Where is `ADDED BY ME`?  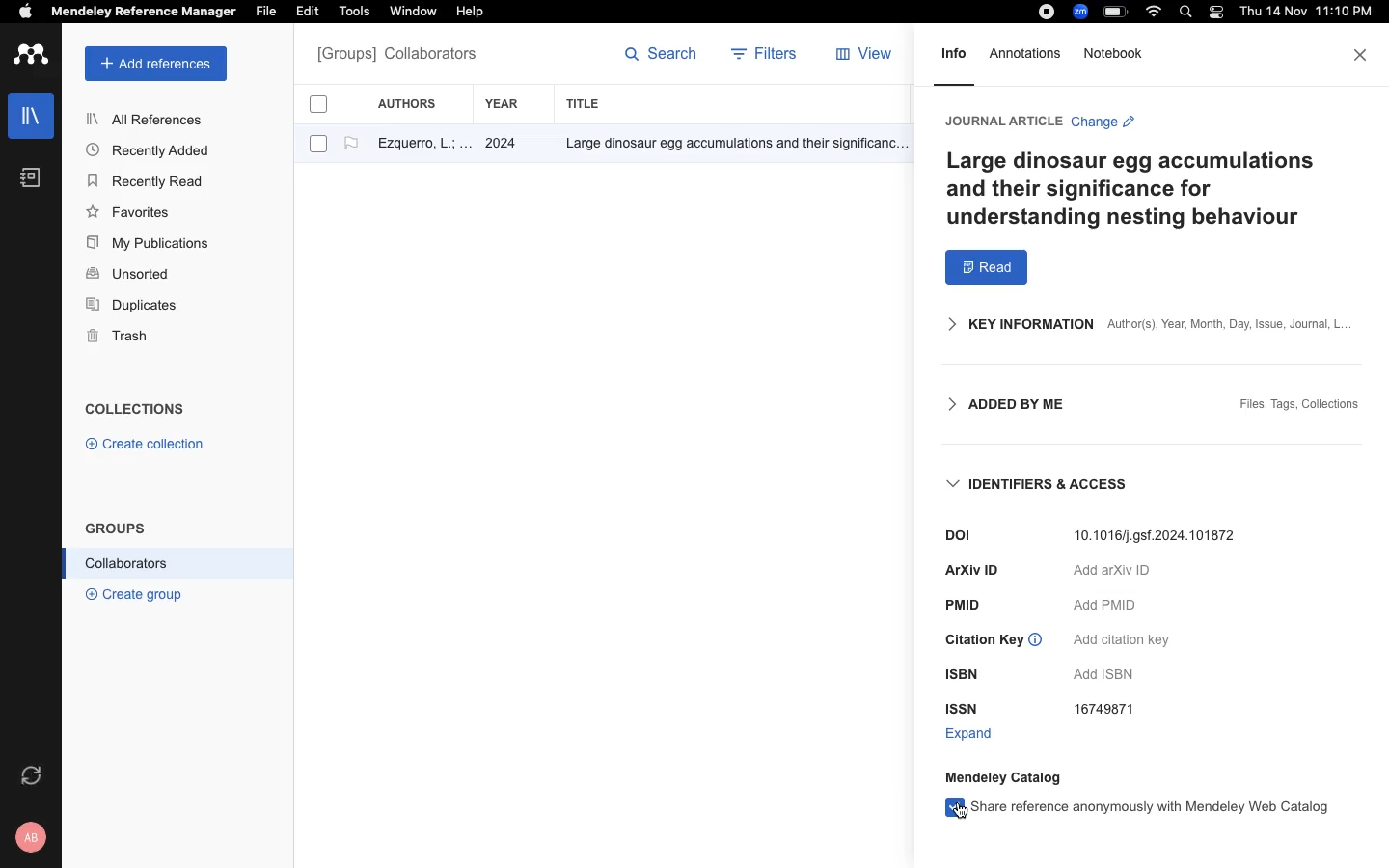 ADDED BY ME is located at coordinates (998, 405).